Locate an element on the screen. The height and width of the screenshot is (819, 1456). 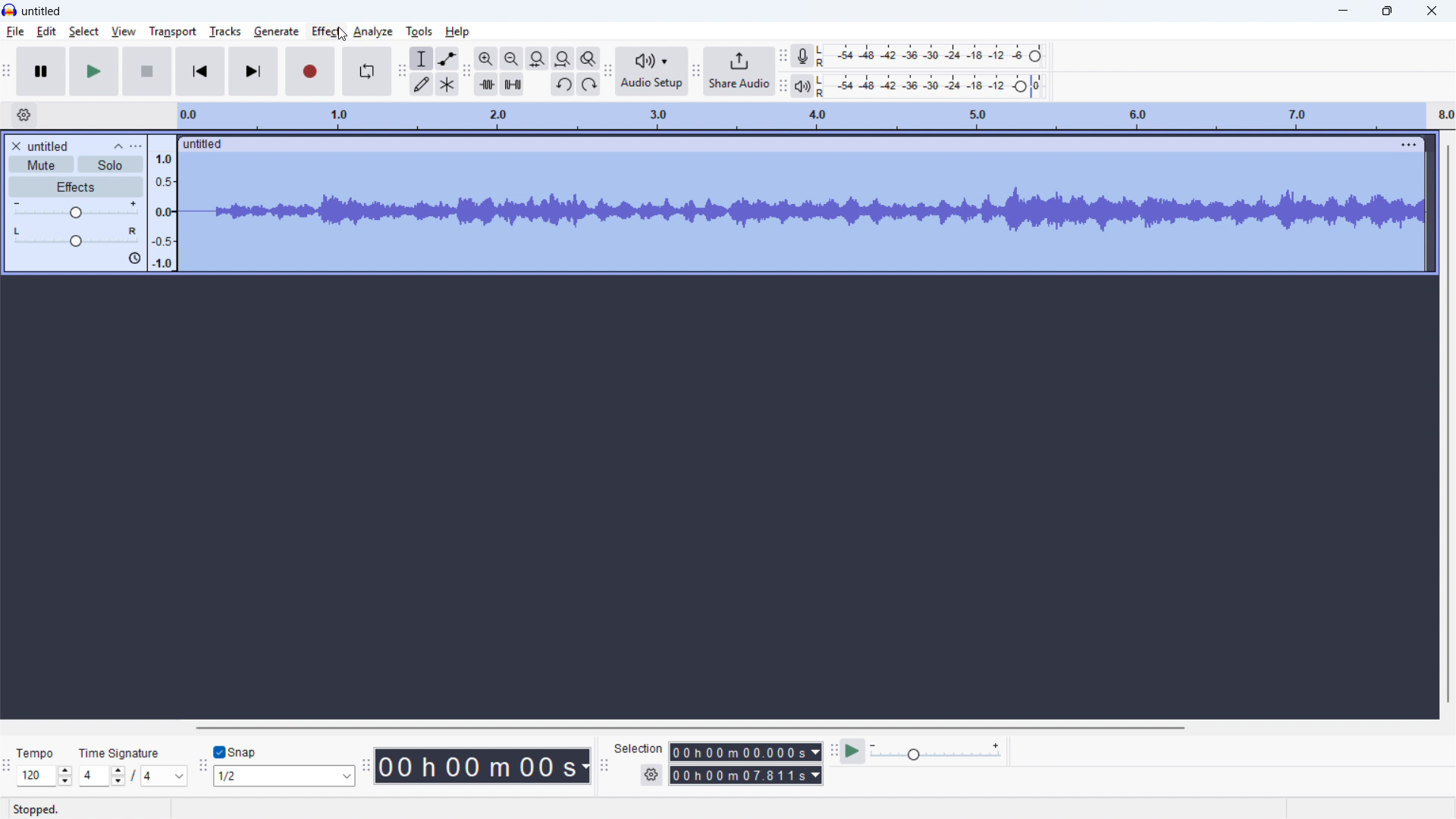
Timestamp  is located at coordinates (485, 766).